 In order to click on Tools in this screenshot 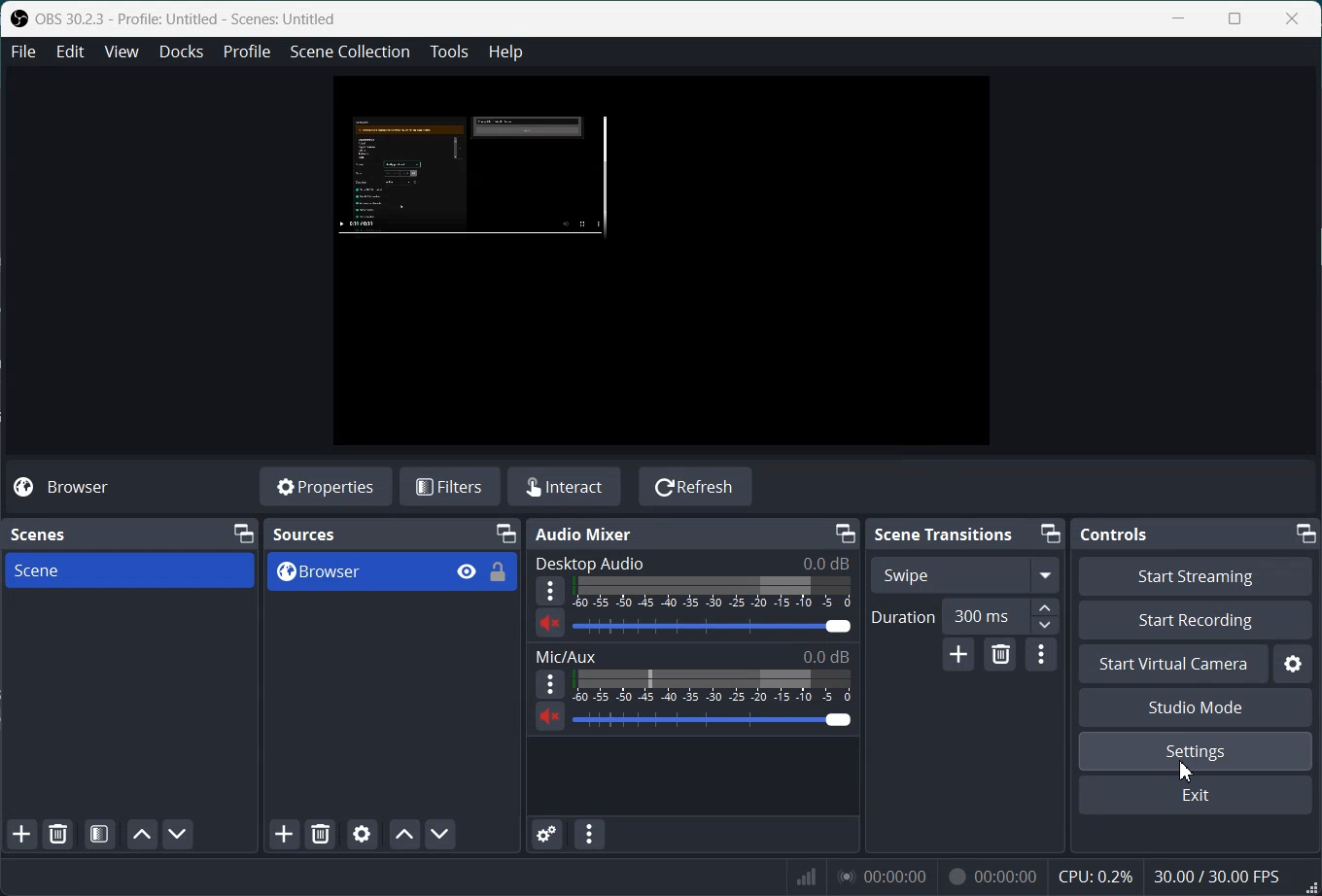, I will do `click(449, 51)`.